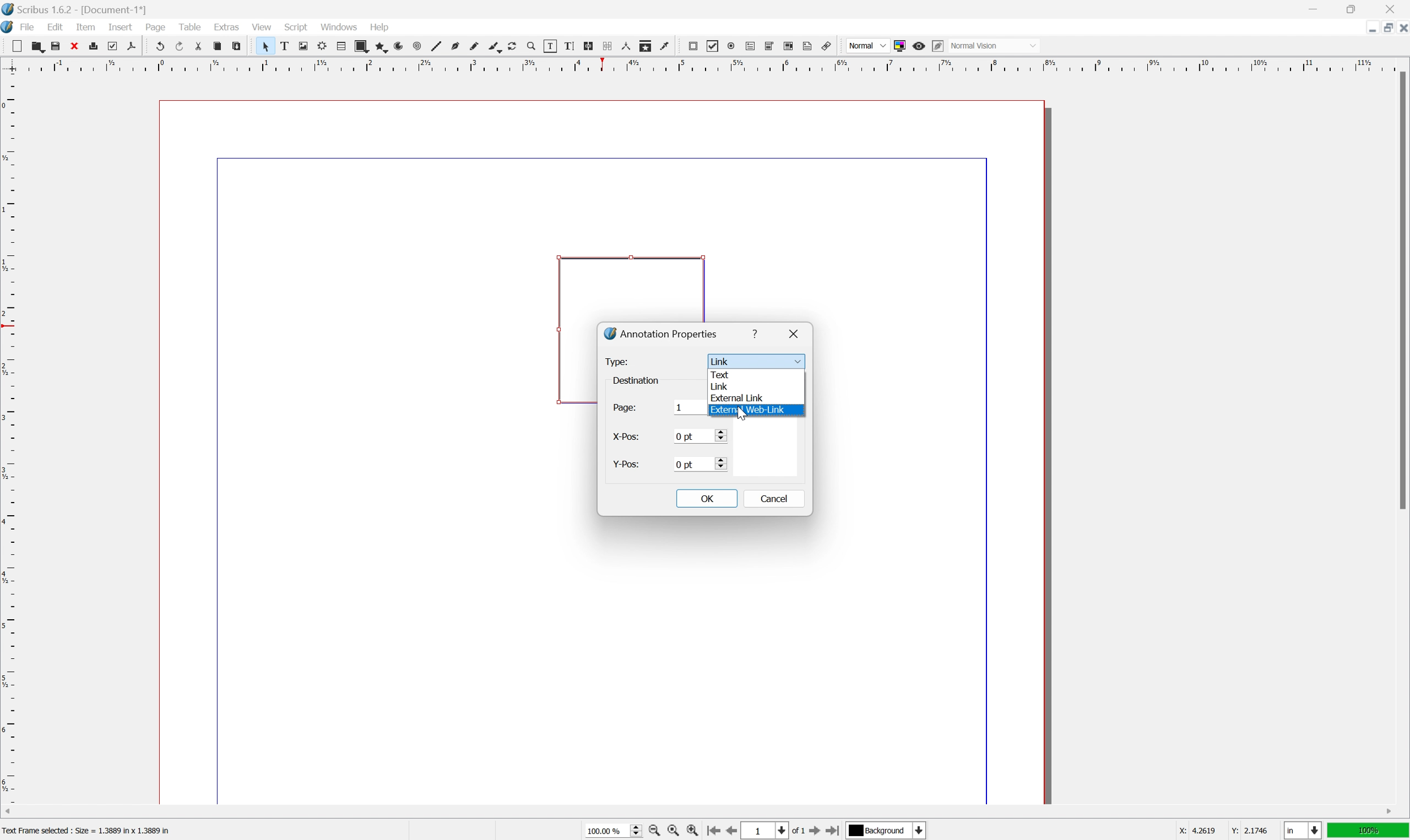 Image resolution: width=1410 pixels, height=840 pixels. What do you see at coordinates (888, 831) in the screenshot?
I see `select current layer` at bounding box center [888, 831].